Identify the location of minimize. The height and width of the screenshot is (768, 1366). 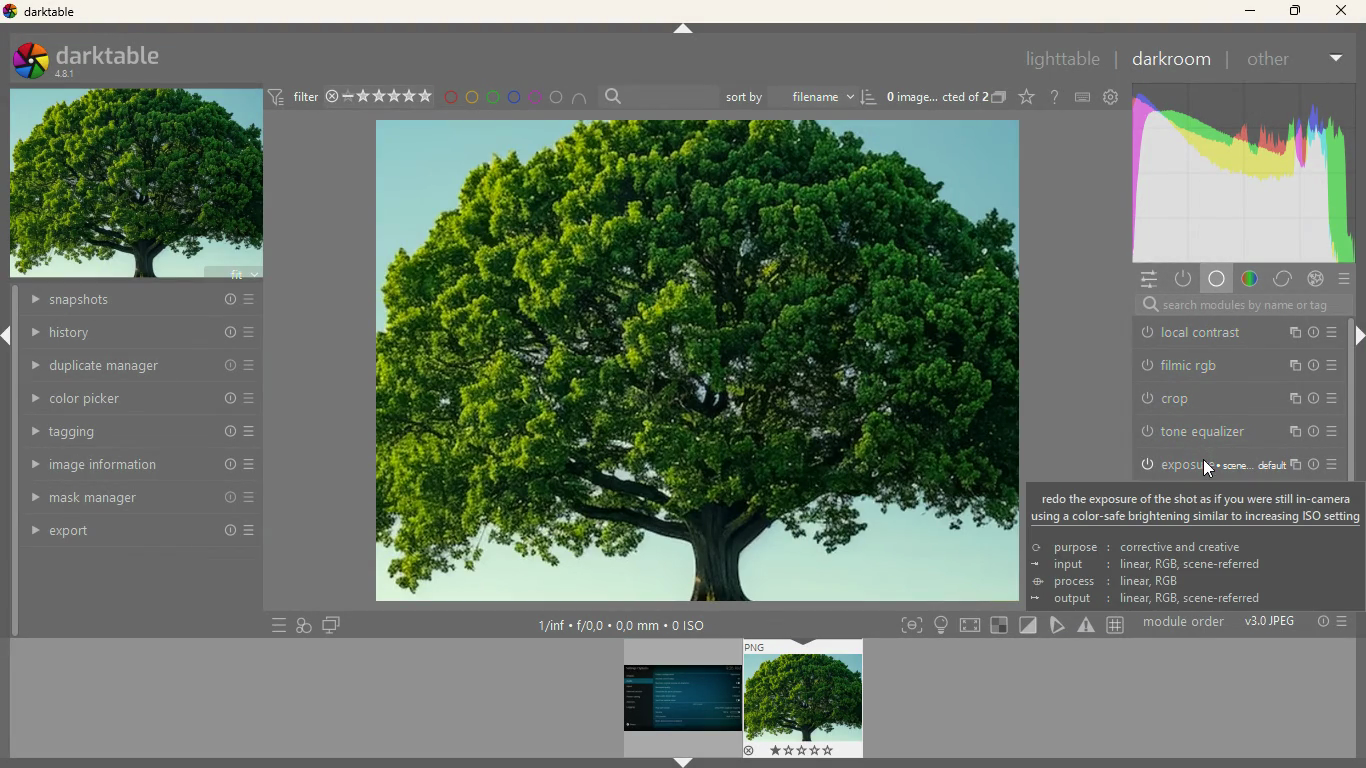
(1250, 12).